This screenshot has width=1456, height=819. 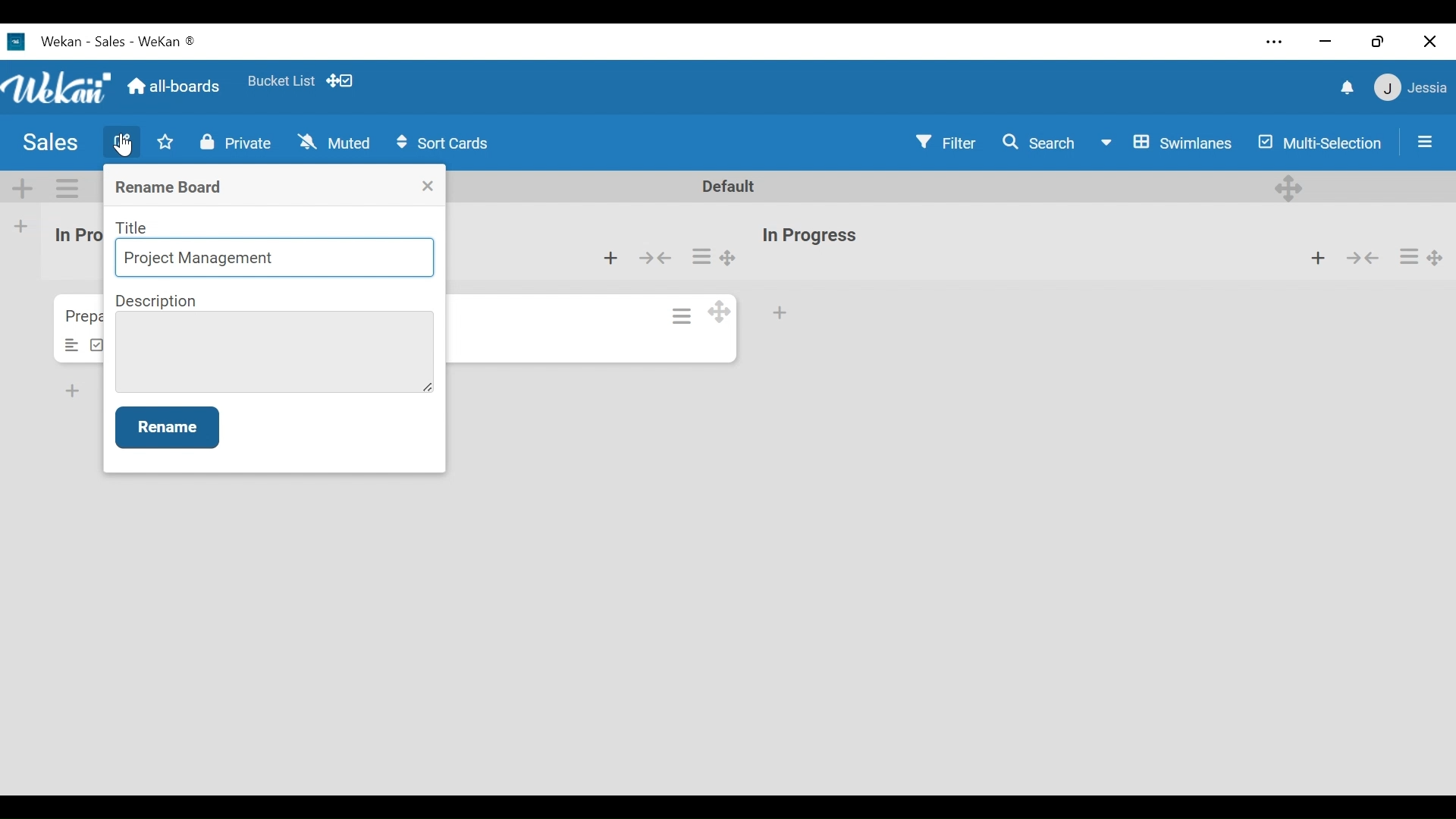 What do you see at coordinates (945, 142) in the screenshot?
I see `Filter` at bounding box center [945, 142].